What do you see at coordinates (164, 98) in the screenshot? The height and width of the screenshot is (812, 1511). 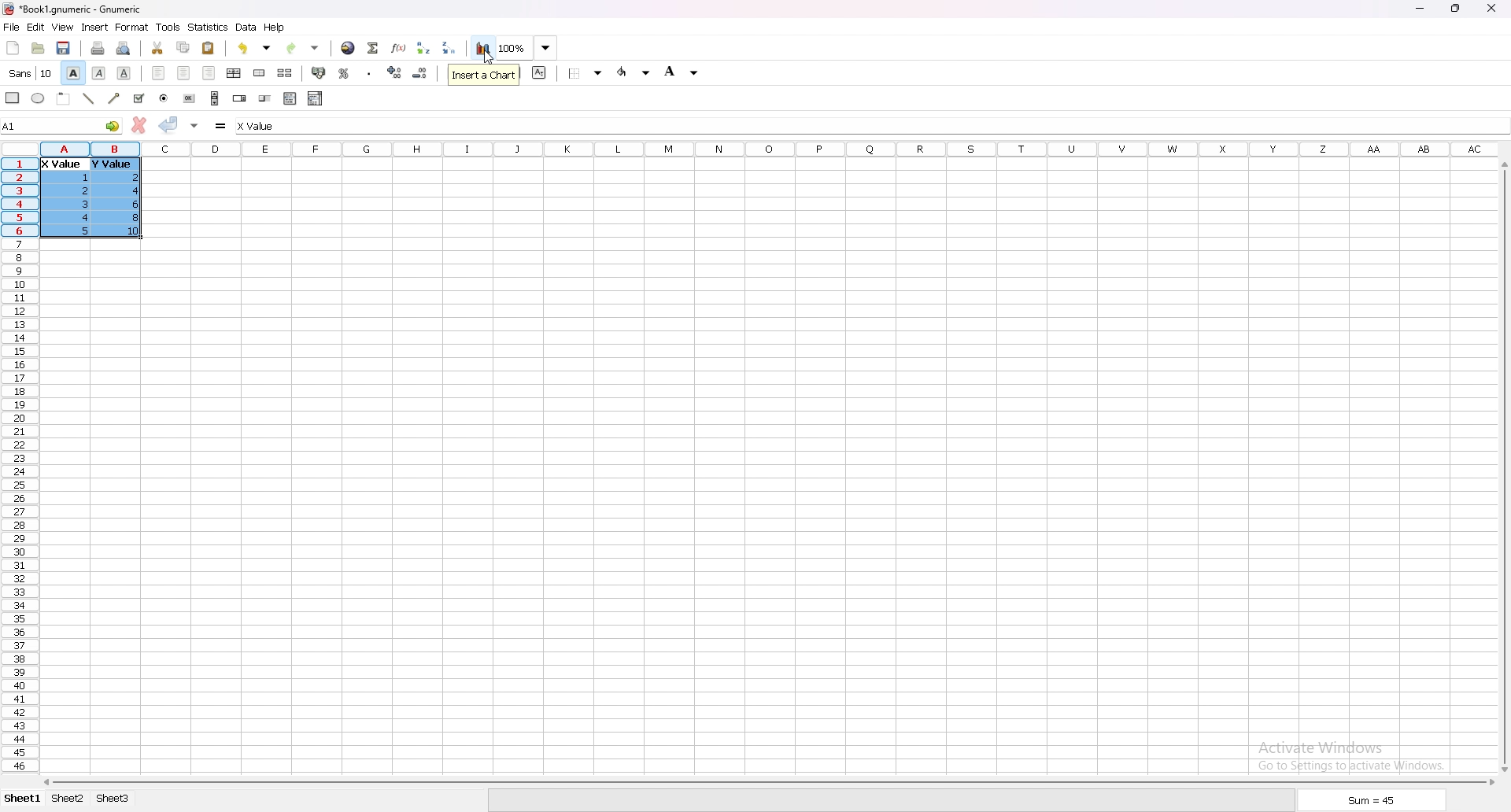 I see `radio button` at bounding box center [164, 98].